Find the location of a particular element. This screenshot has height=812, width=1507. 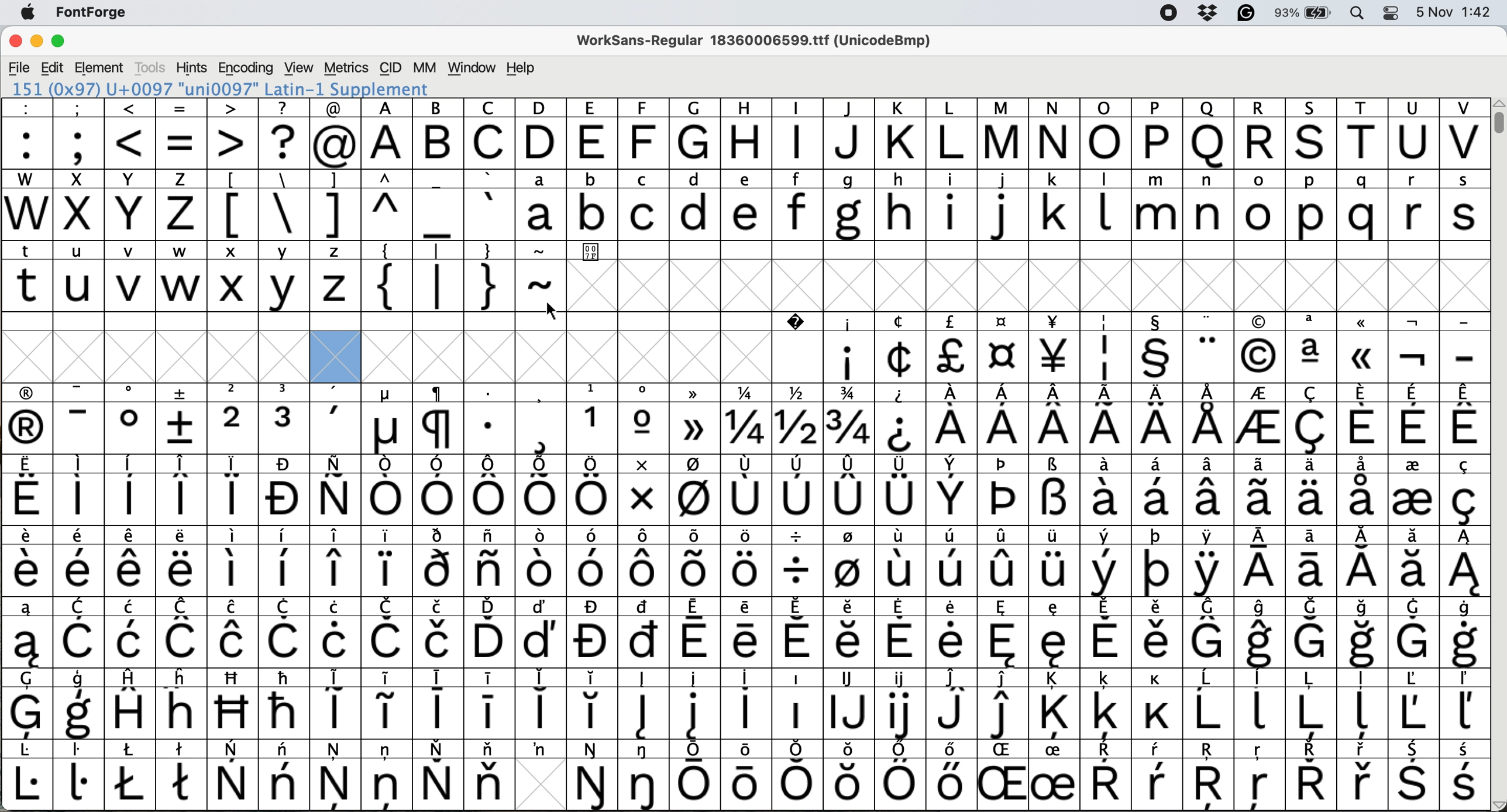

symbol is located at coordinates (183, 773).